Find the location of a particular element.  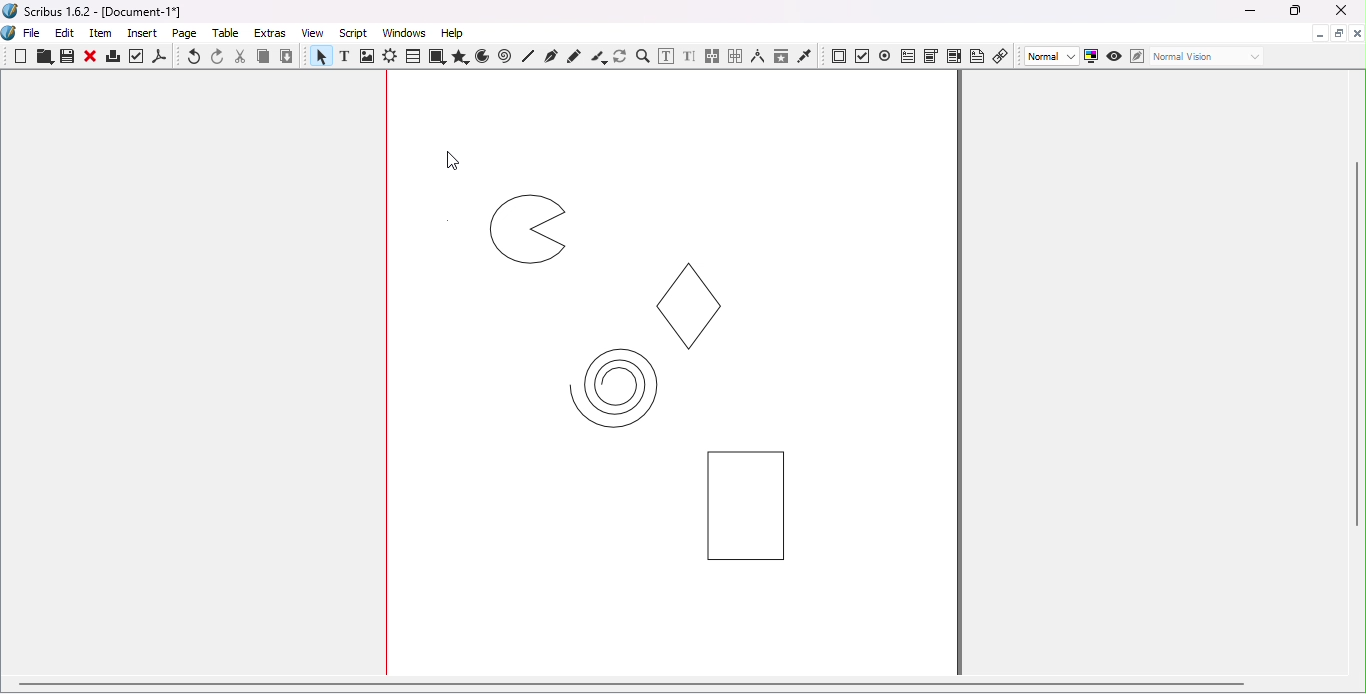

Link text frames is located at coordinates (713, 57).